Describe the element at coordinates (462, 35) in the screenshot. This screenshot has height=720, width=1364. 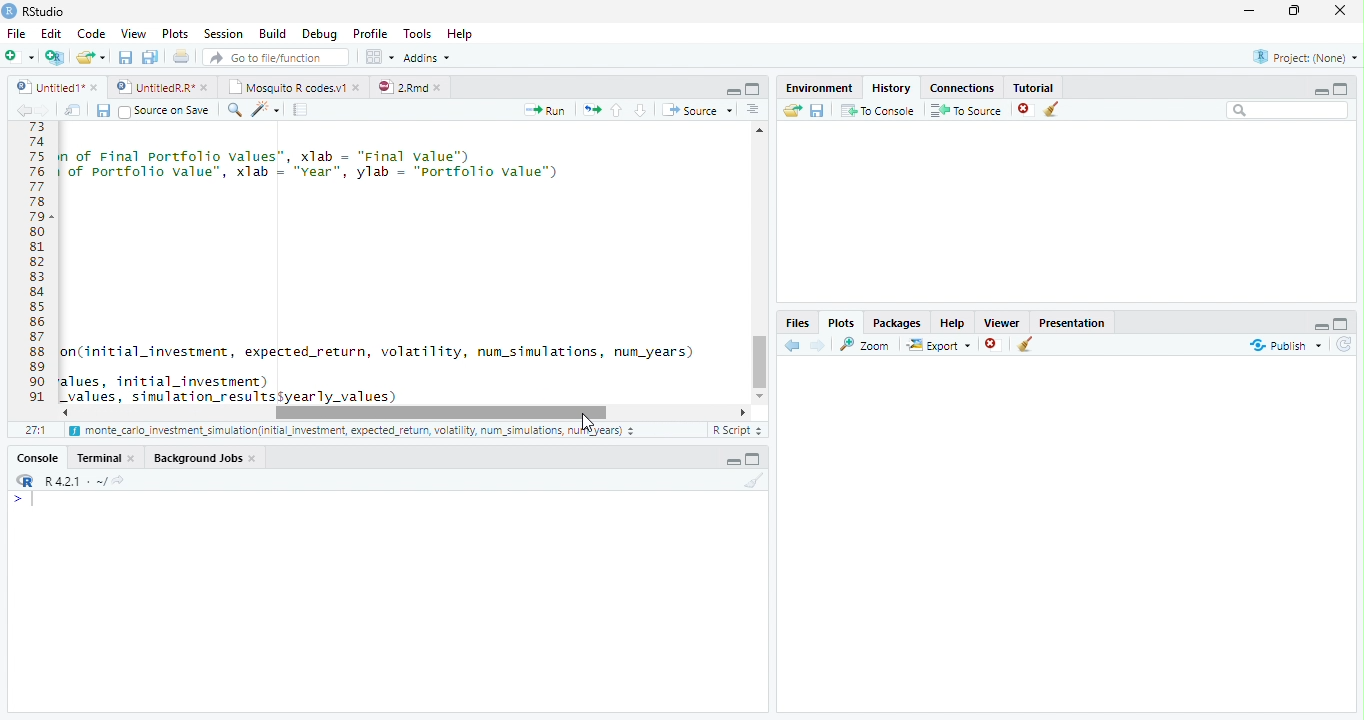
I see `Help` at that location.